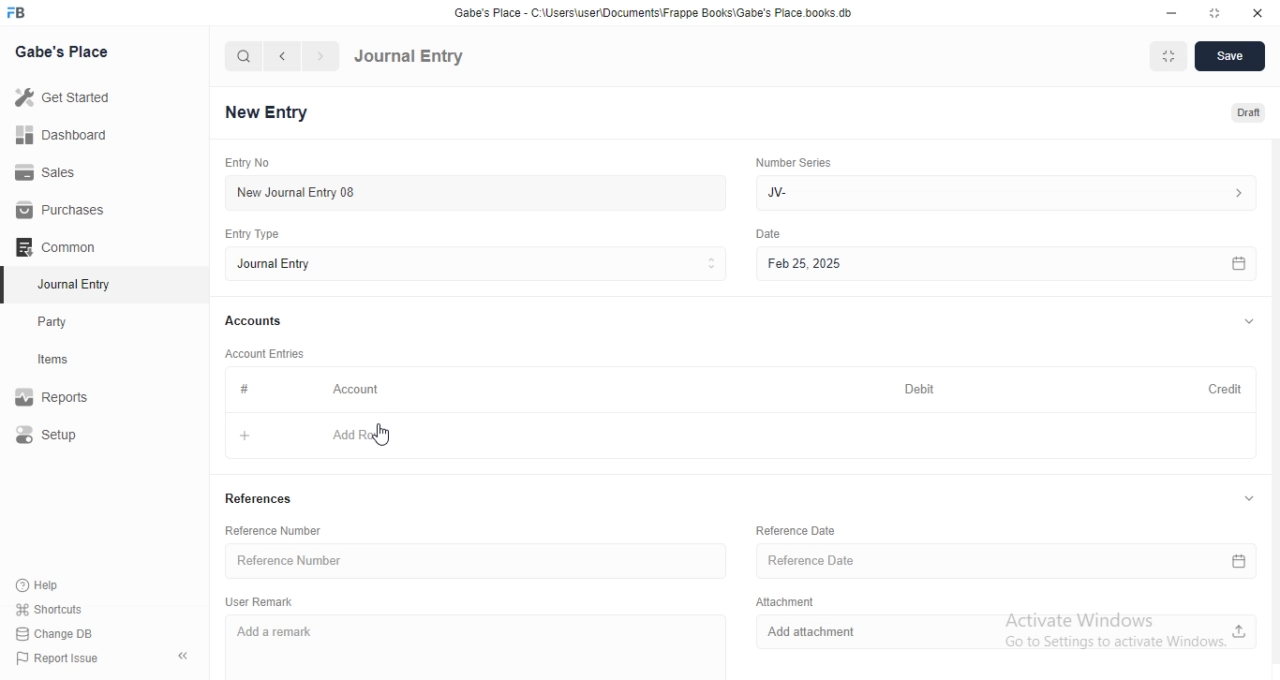 This screenshot has height=680, width=1280. I want to click on Credit, so click(1216, 389).